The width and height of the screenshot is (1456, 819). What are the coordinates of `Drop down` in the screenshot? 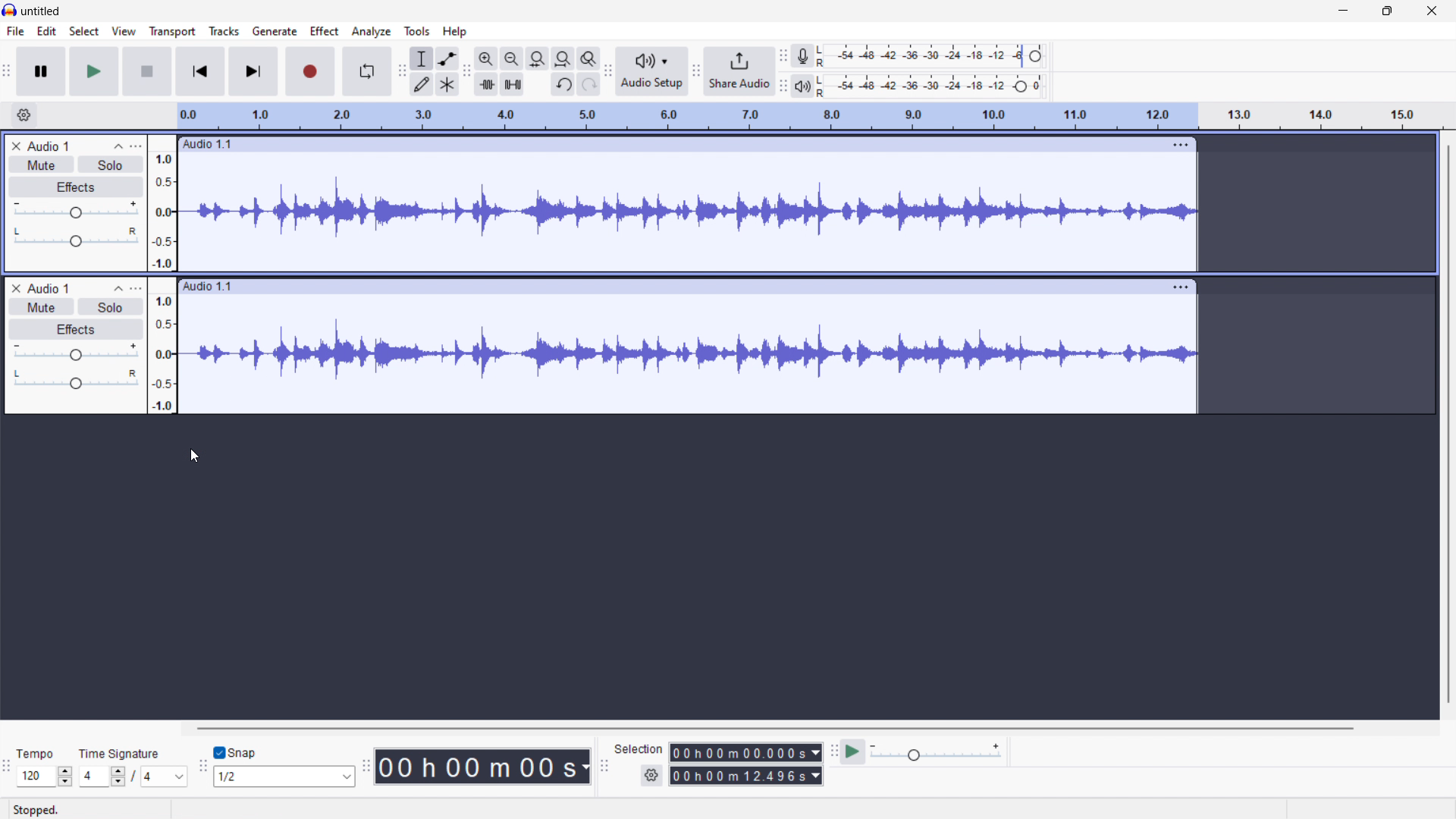 It's located at (343, 777).